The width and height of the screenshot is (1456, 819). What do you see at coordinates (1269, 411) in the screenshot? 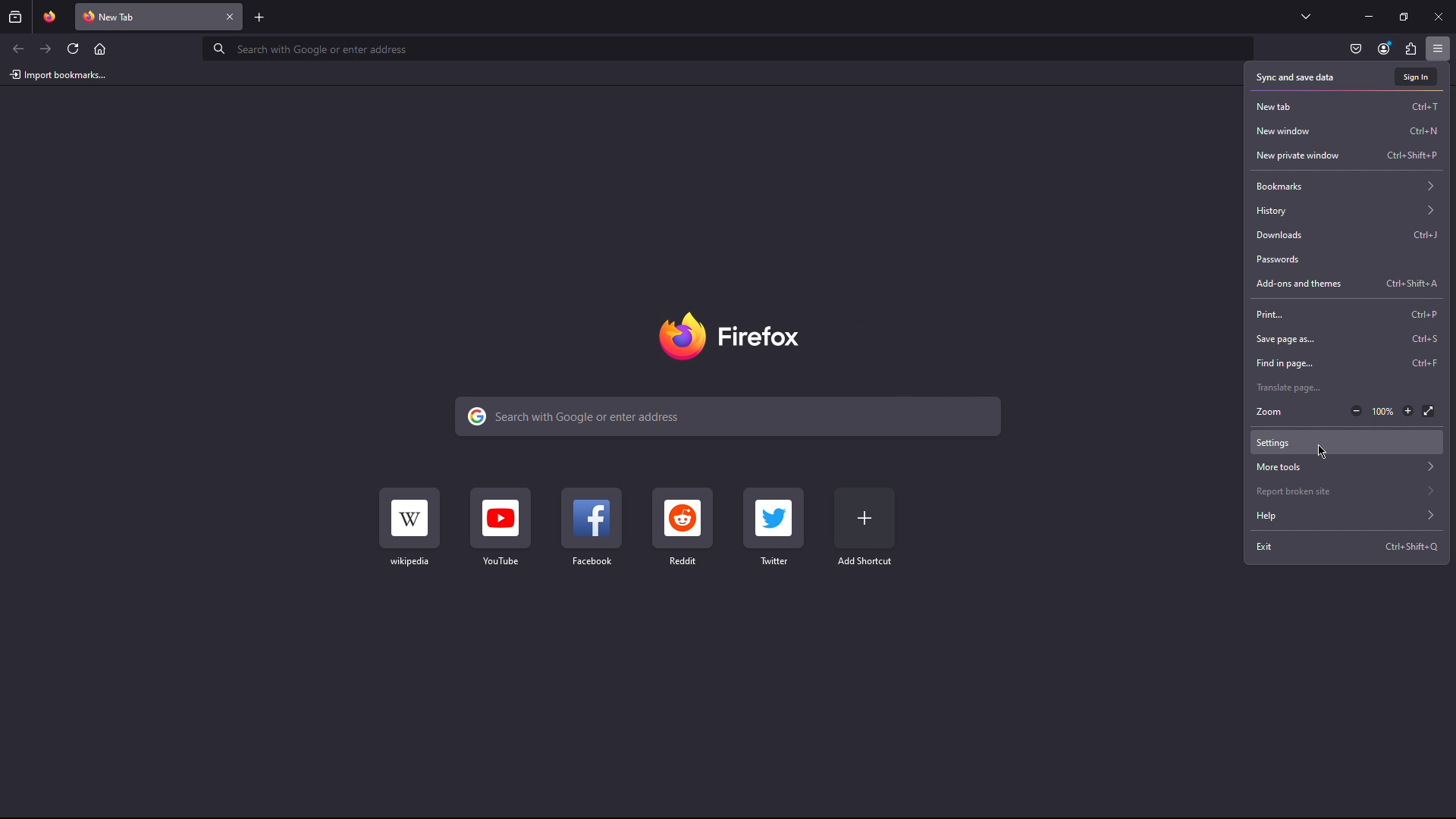
I see `Zoom` at bounding box center [1269, 411].